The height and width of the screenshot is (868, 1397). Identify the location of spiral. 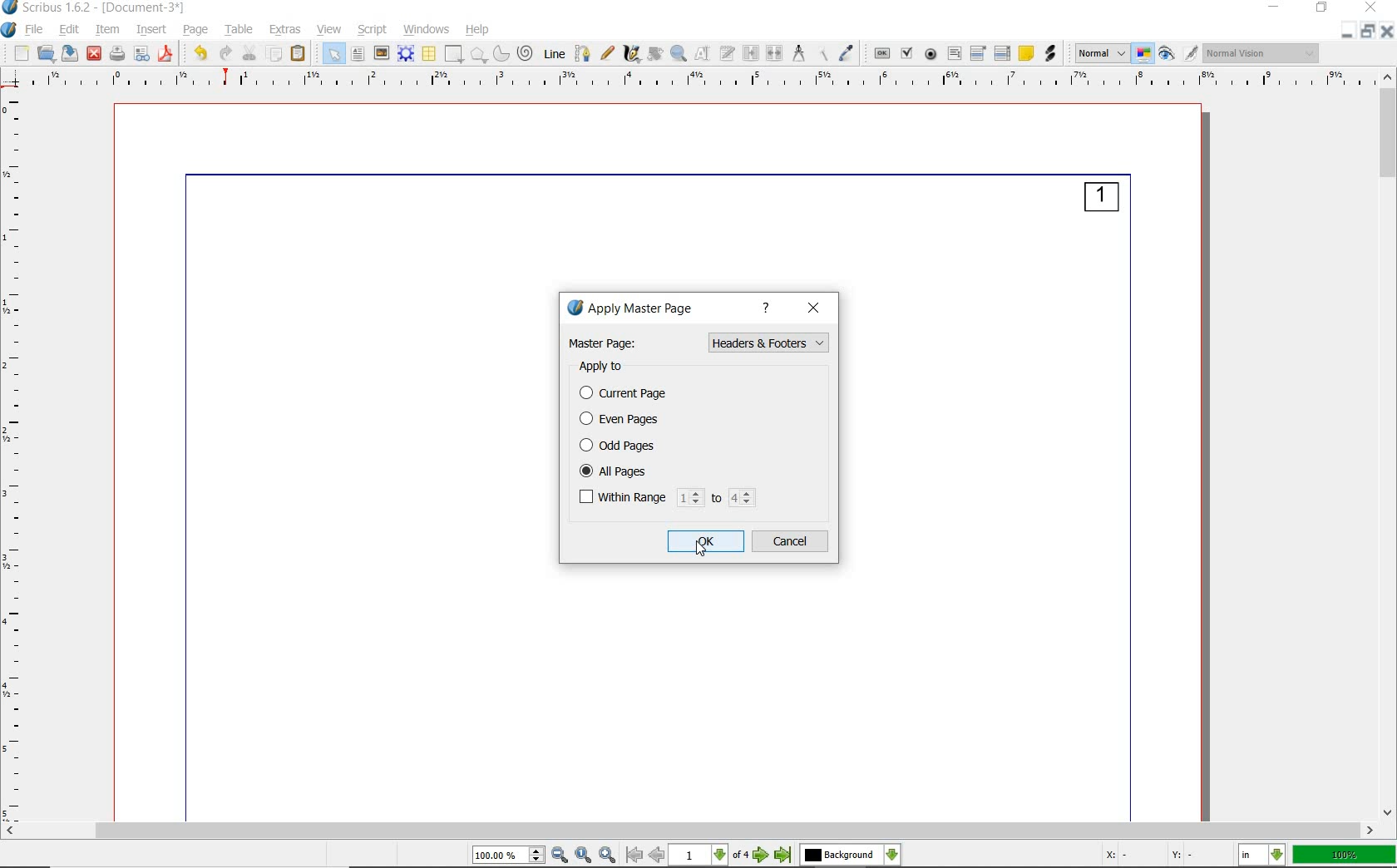
(528, 53).